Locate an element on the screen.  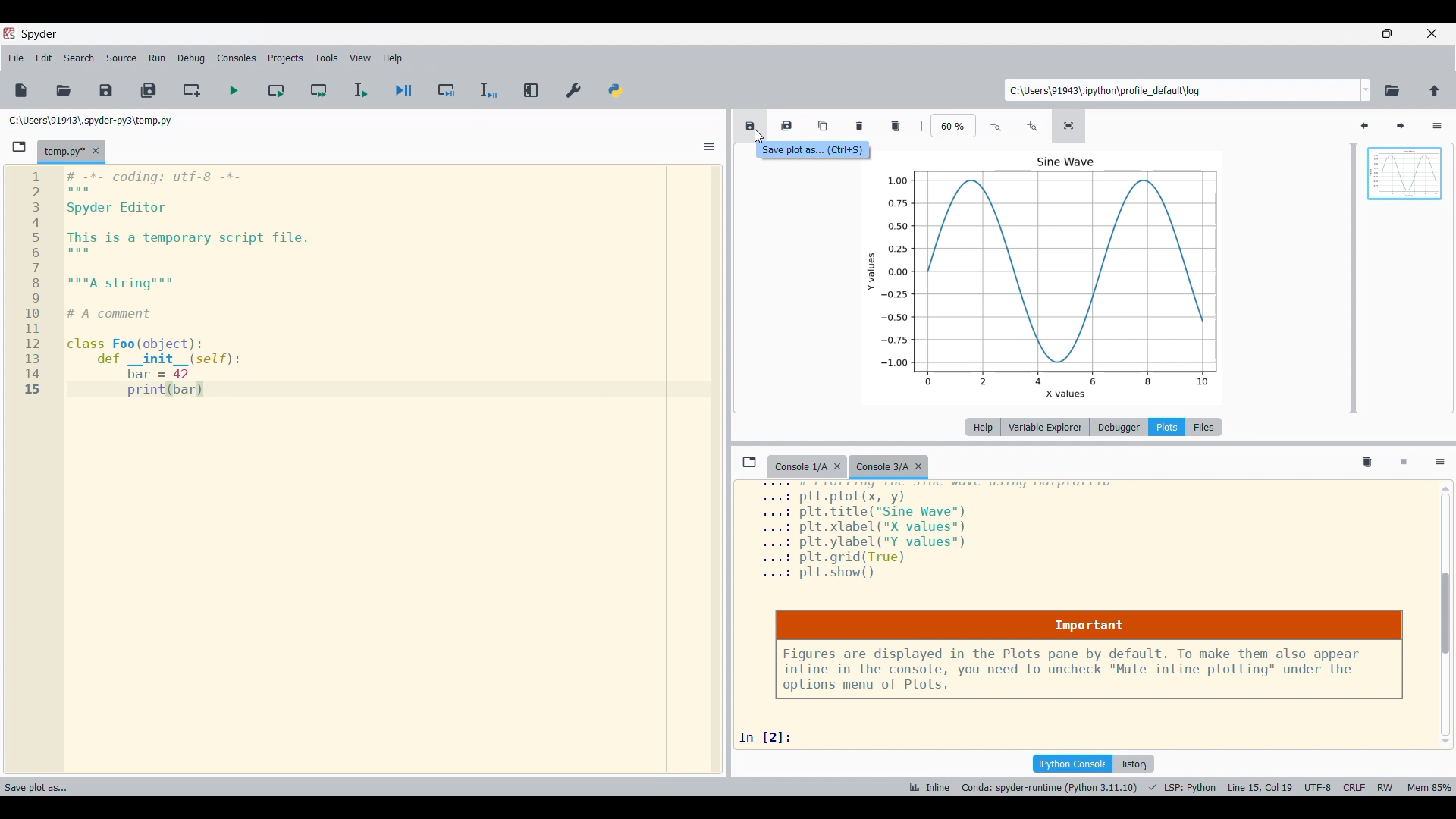
Copy plot to clipboard as image is located at coordinates (824, 125).